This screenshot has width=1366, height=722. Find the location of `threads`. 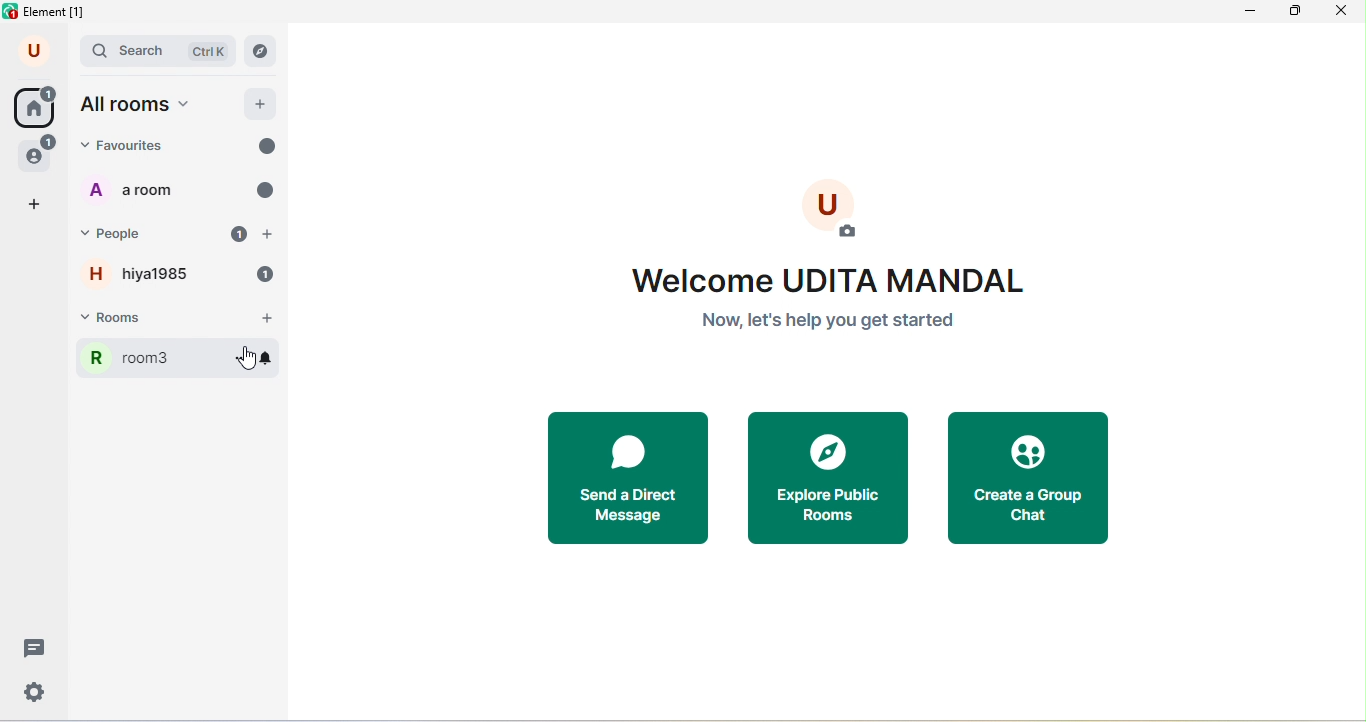

threads is located at coordinates (31, 648).